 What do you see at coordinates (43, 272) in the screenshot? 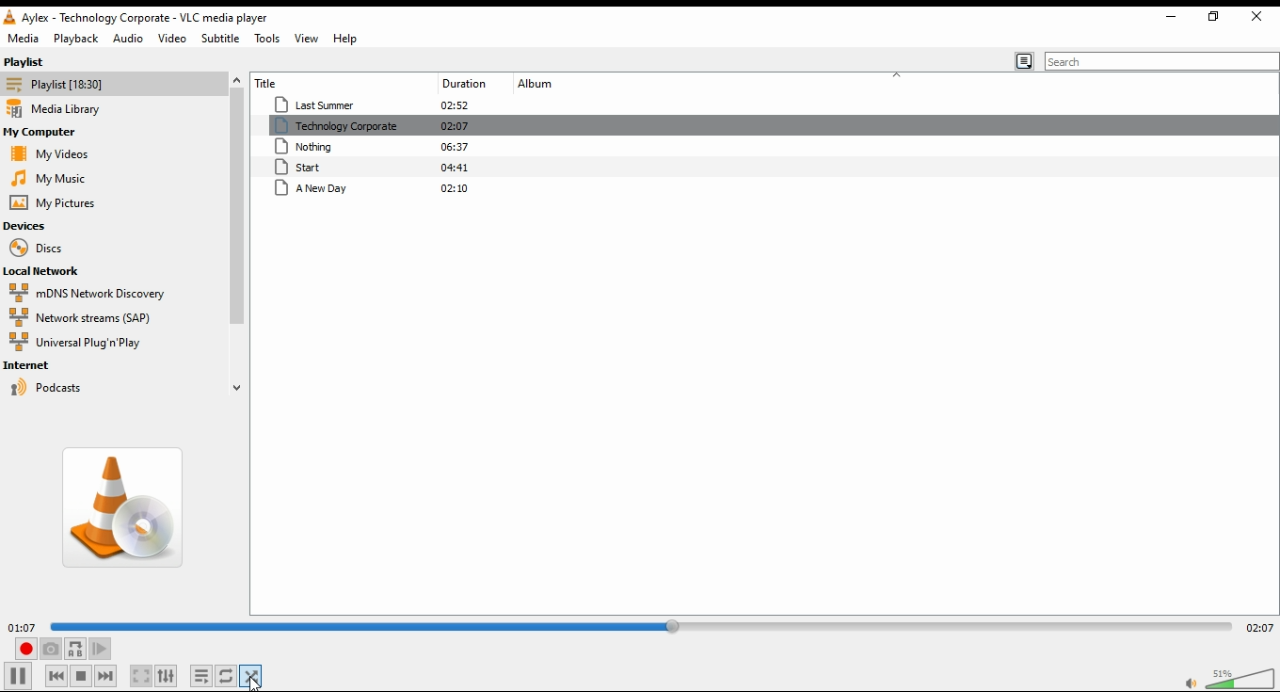
I see `local network` at bounding box center [43, 272].